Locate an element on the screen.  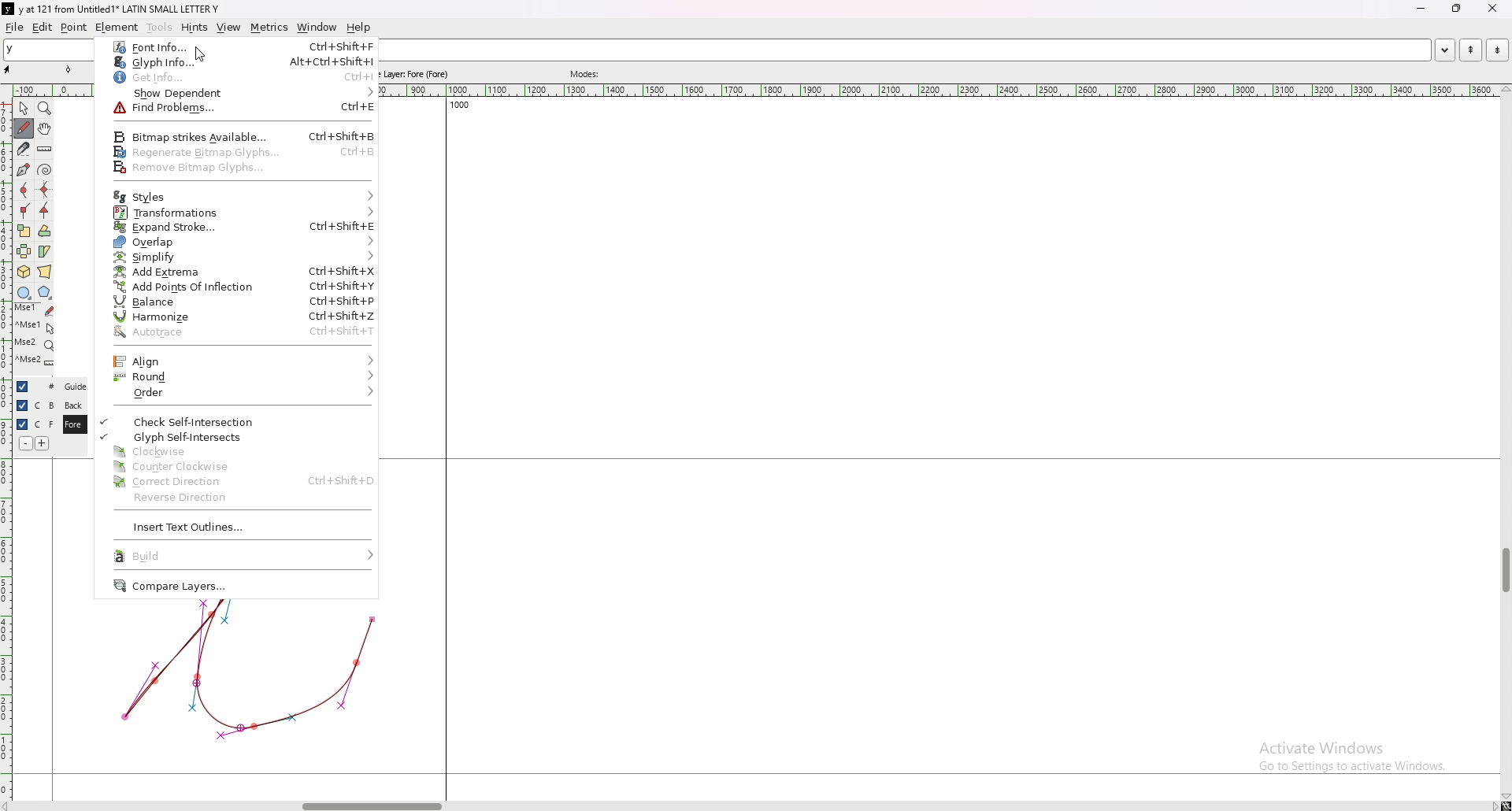
find problems is located at coordinates (234, 110).